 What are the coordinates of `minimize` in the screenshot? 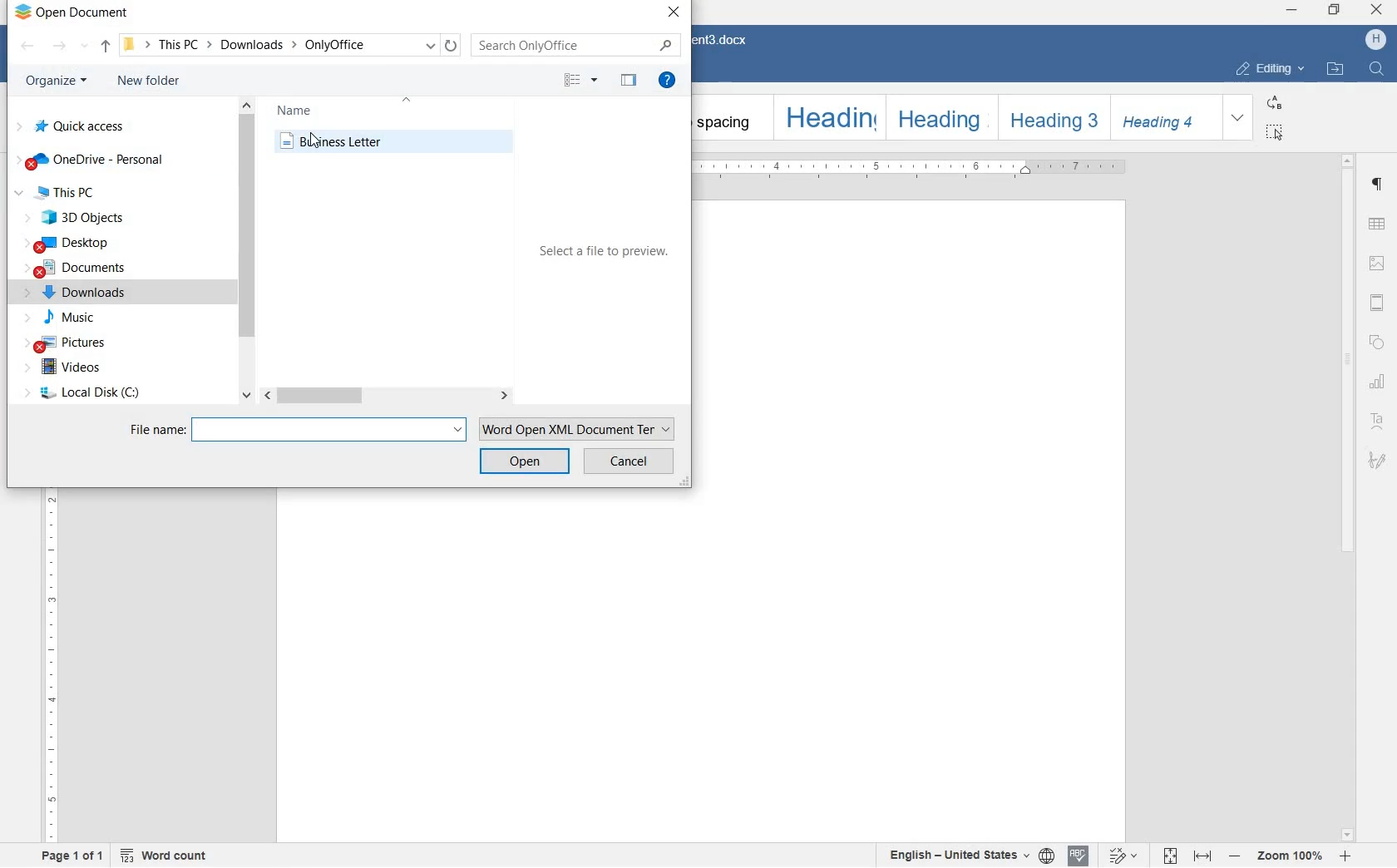 It's located at (1290, 8).